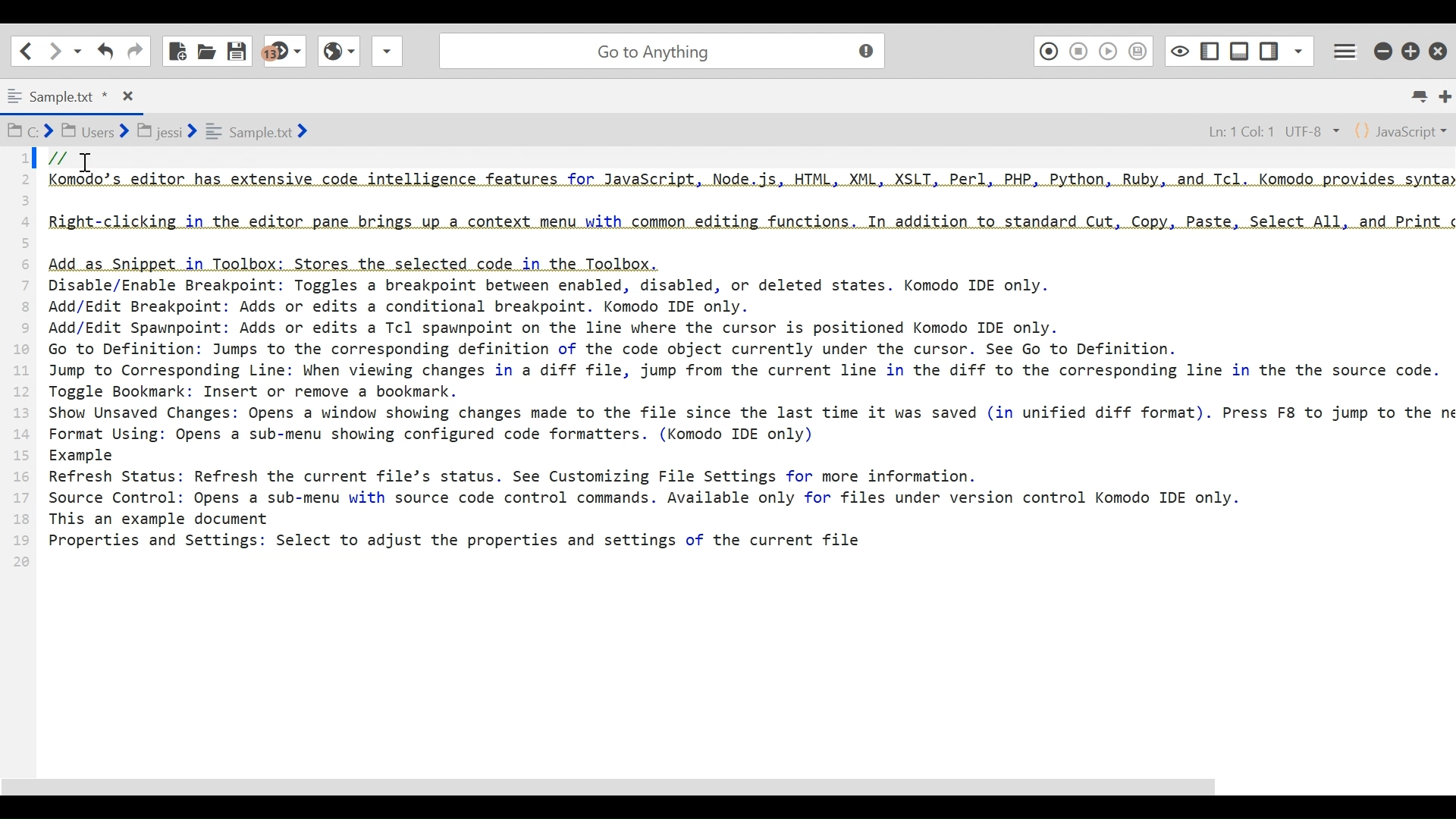  I want to click on Save File, so click(239, 49).